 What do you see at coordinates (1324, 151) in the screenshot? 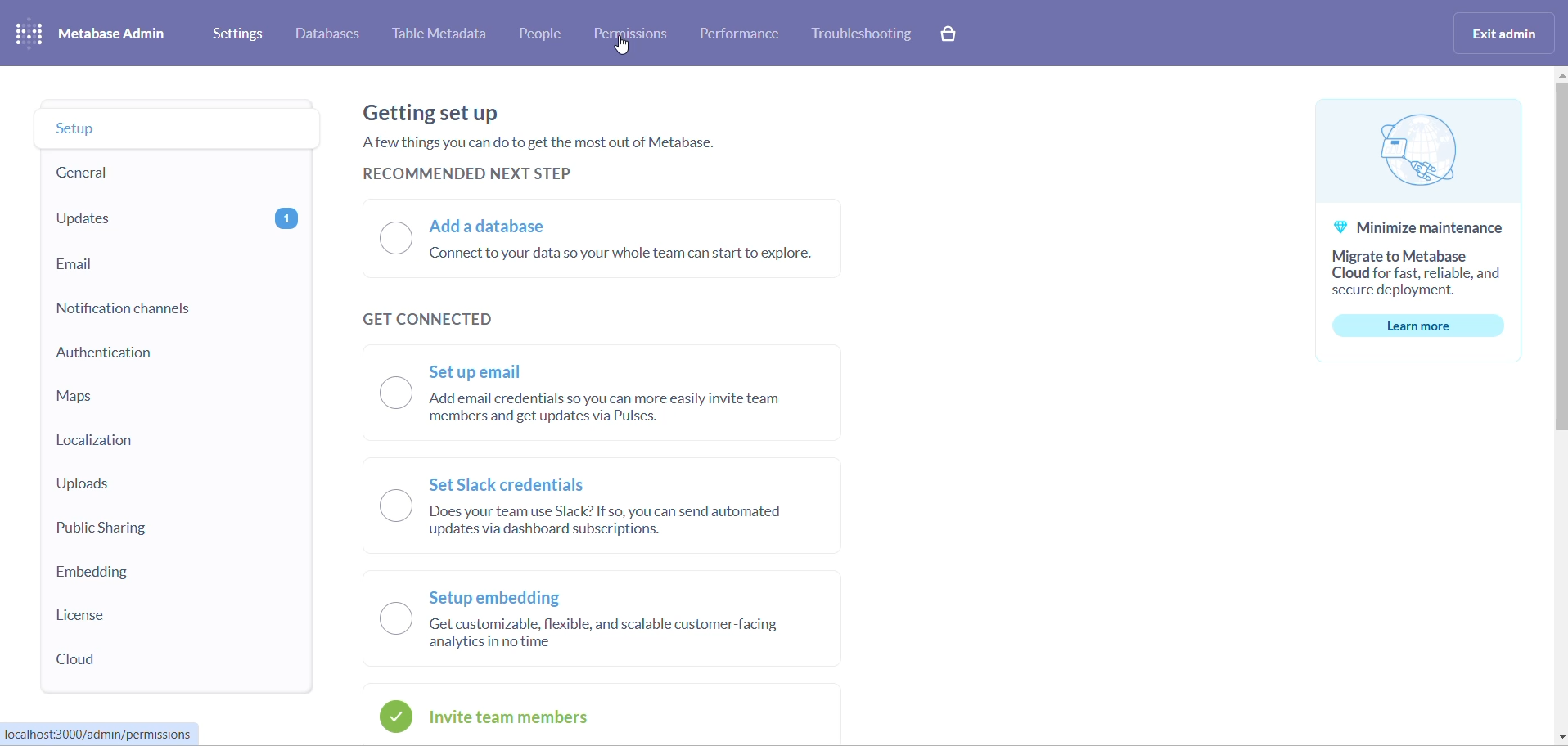
I see `logo` at bounding box center [1324, 151].